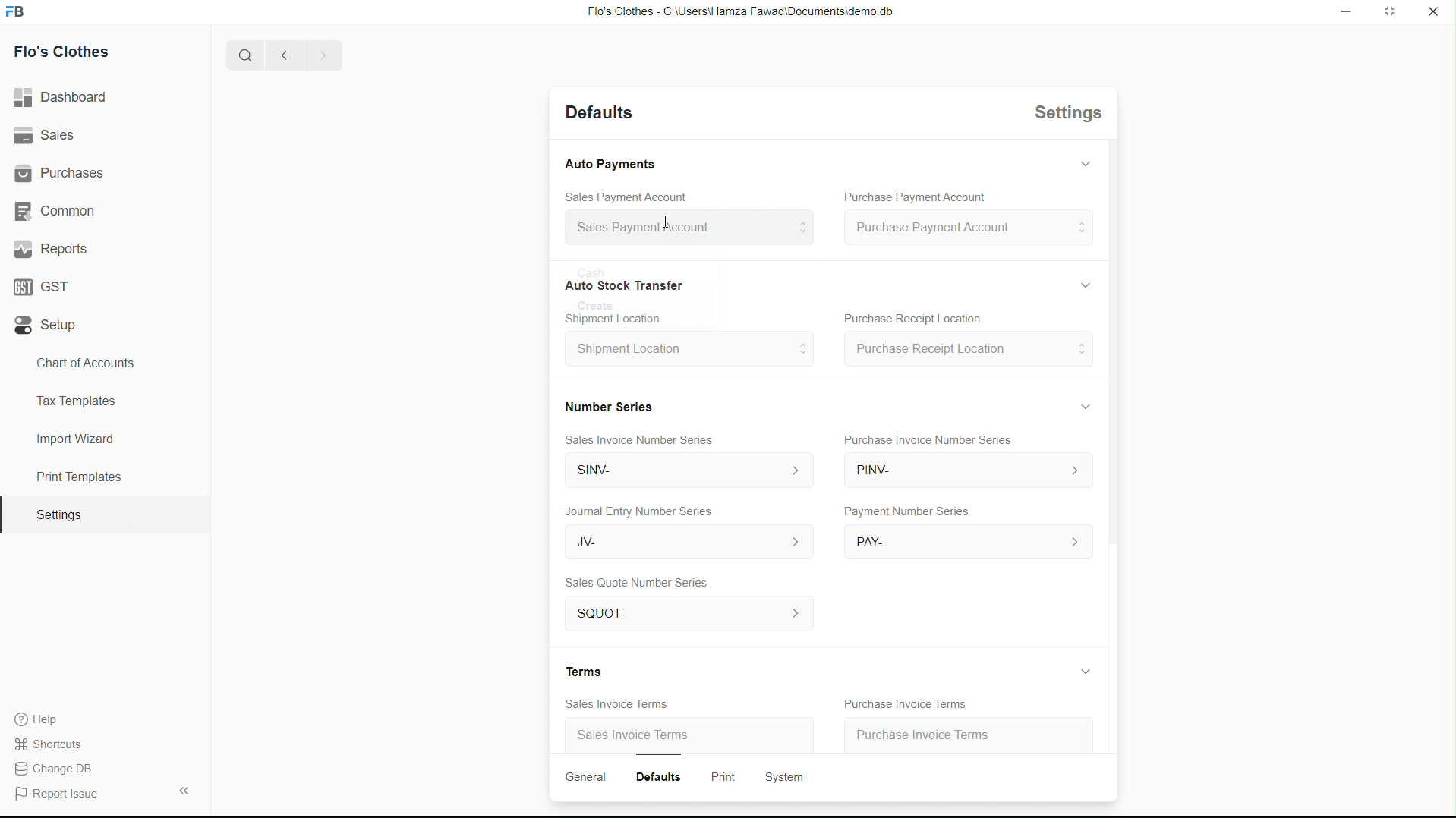 Image resolution: width=1456 pixels, height=818 pixels. Describe the element at coordinates (905, 512) in the screenshot. I see `Payment Number Series` at that location.